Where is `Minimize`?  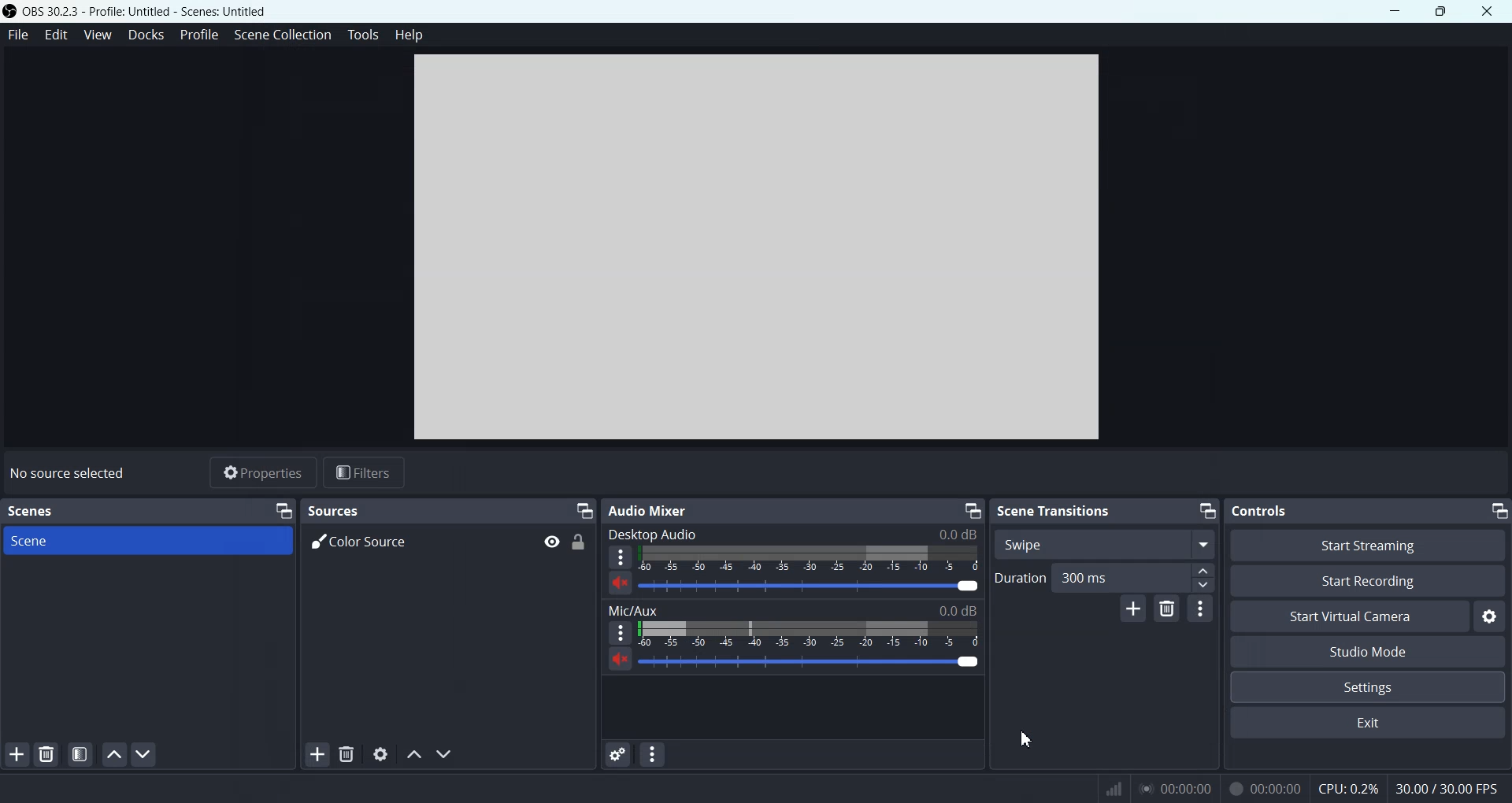 Minimize is located at coordinates (583, 510).